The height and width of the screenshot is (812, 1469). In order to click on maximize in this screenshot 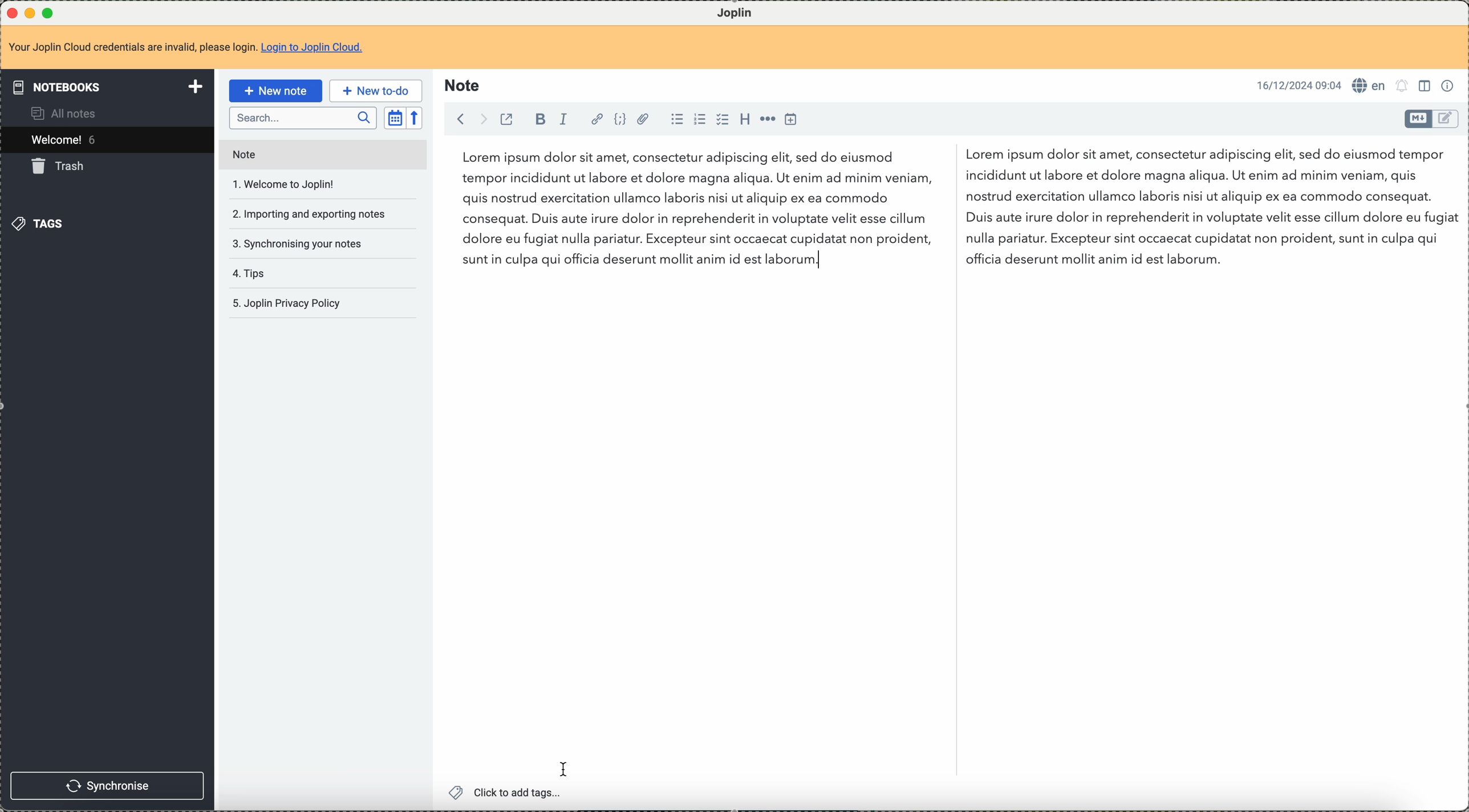, I will do `click(50, 11)`.